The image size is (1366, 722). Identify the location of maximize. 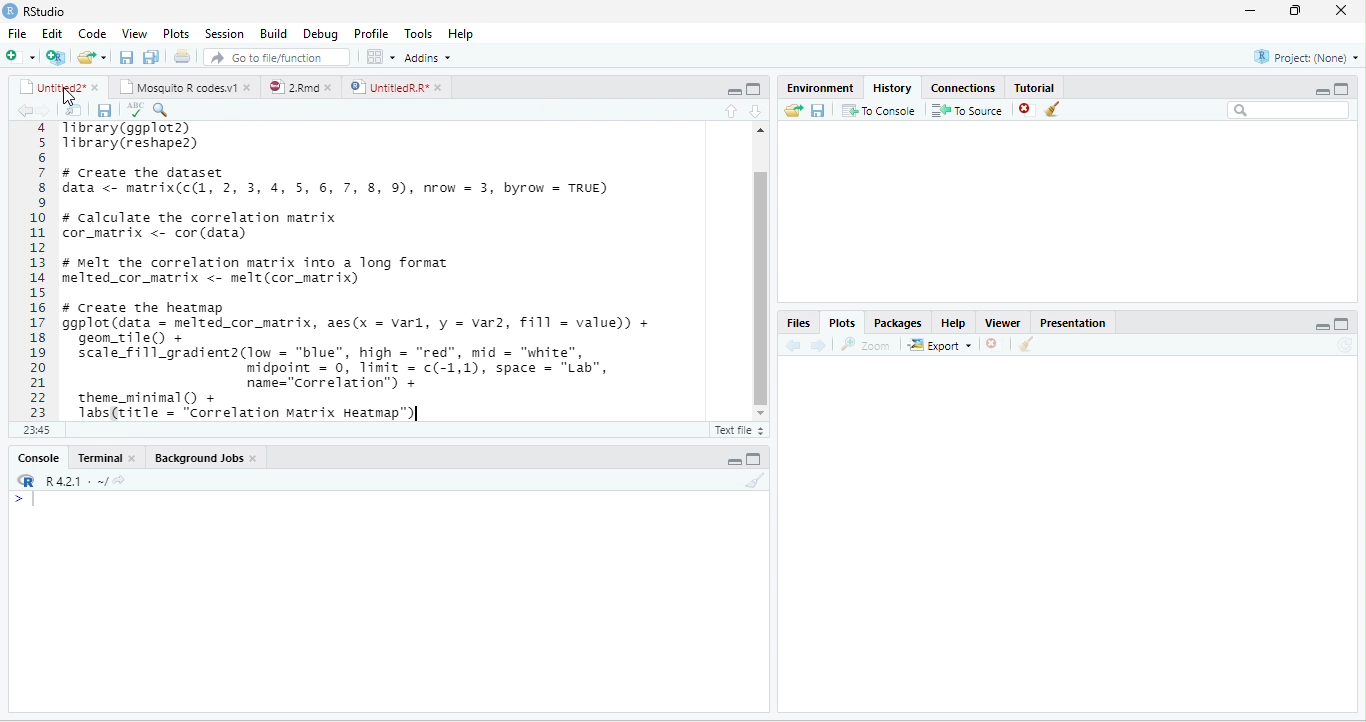
(755, 459).